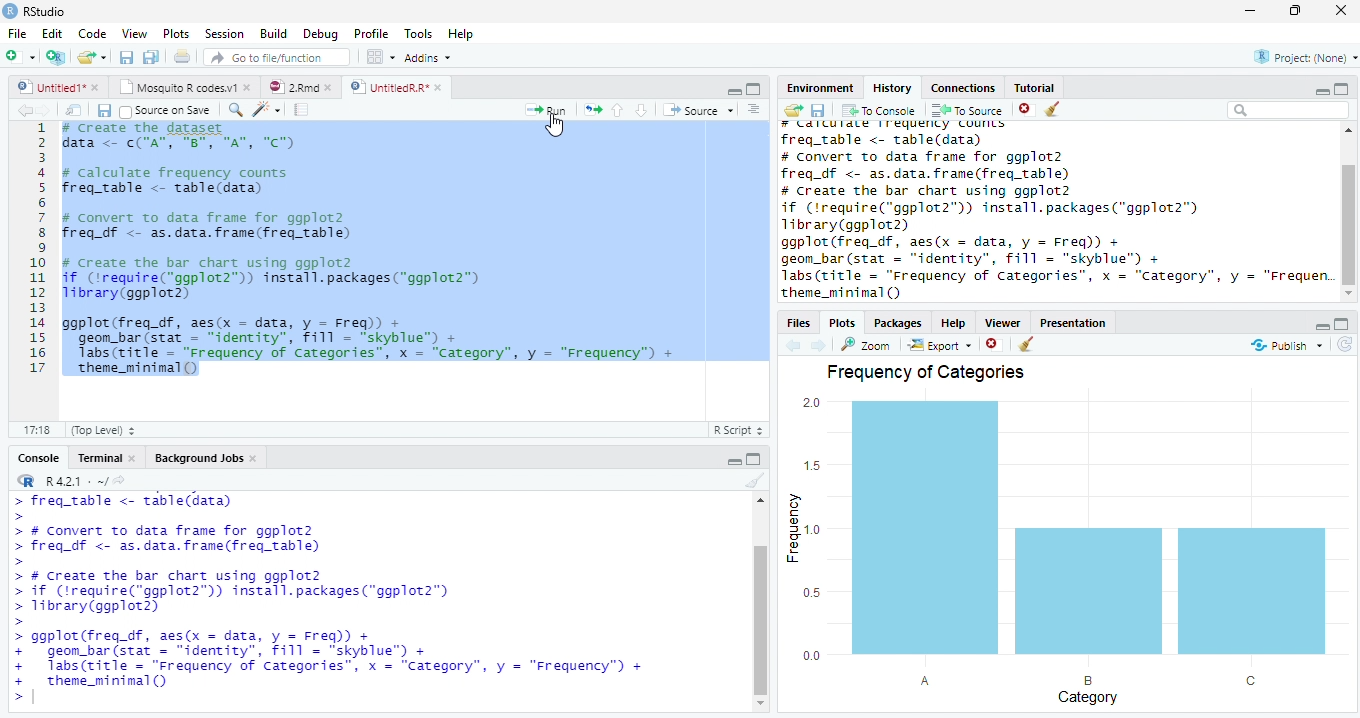 The image size is (1360, 718). I want to click on Chart, so click(1083, 531).